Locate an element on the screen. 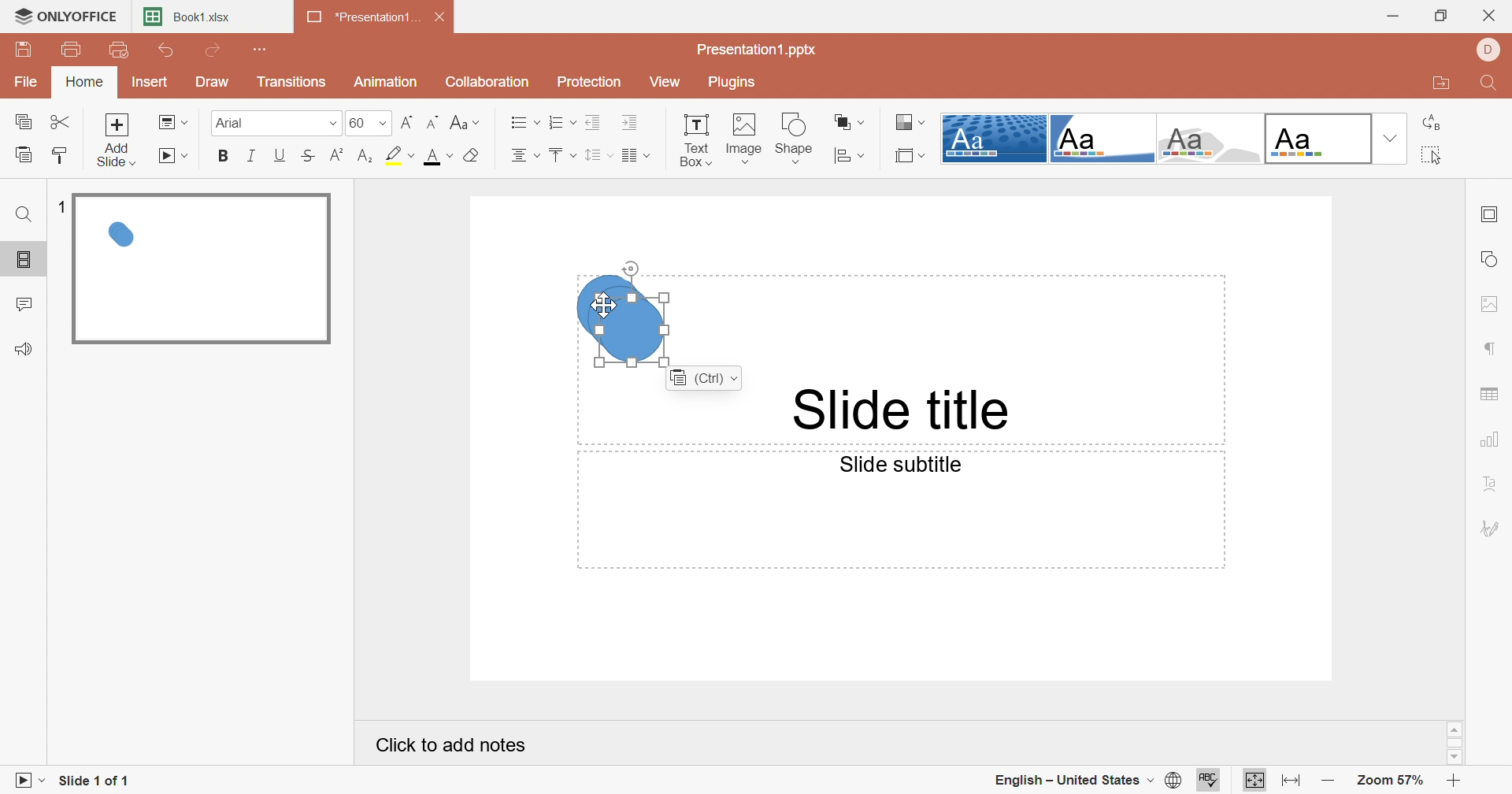 This screenshot has width=1512, height=794. Chart settings is located at coordinates (1492, 440).